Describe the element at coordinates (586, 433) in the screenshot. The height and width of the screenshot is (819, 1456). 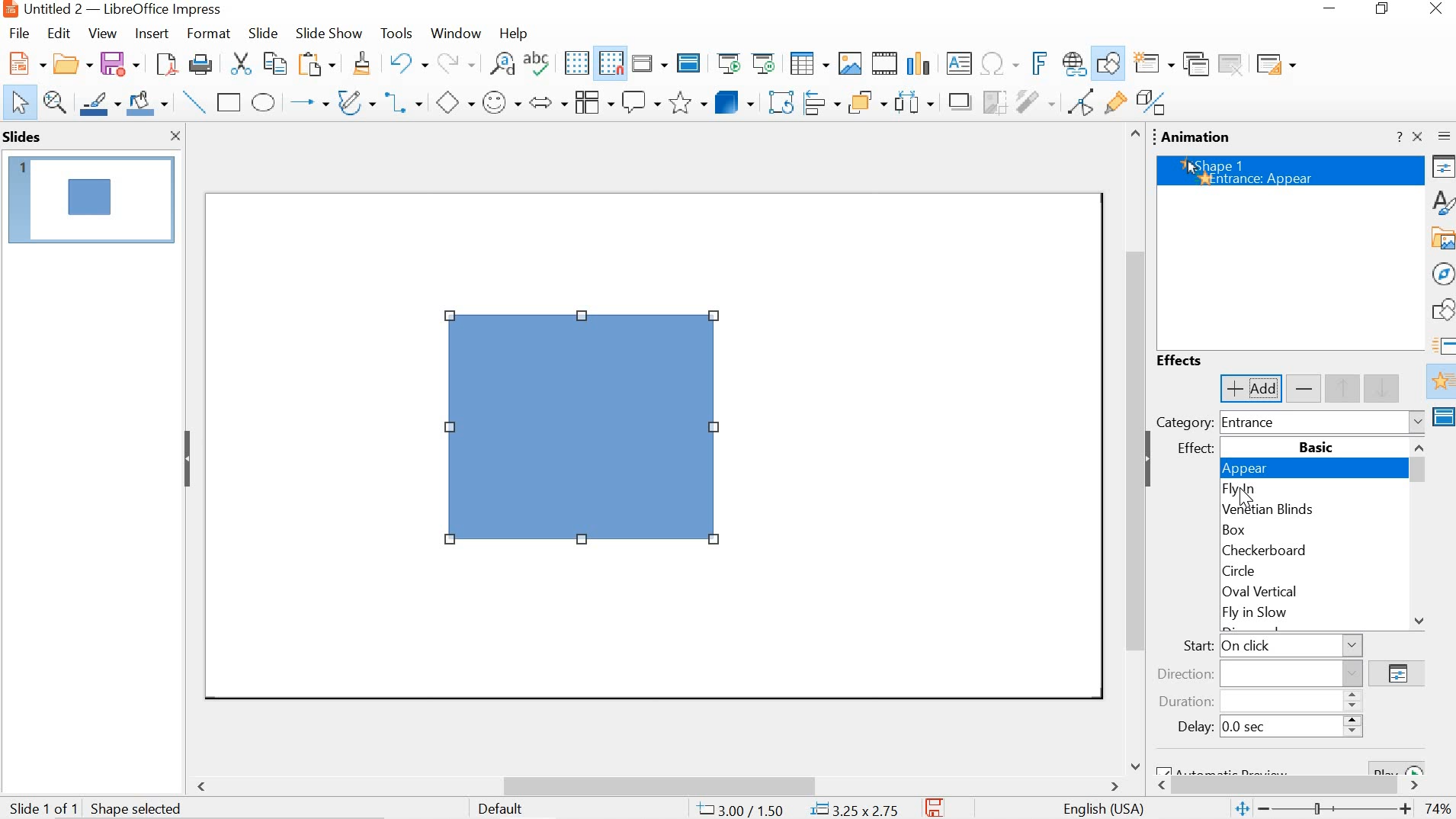
I see `shape` at that location.